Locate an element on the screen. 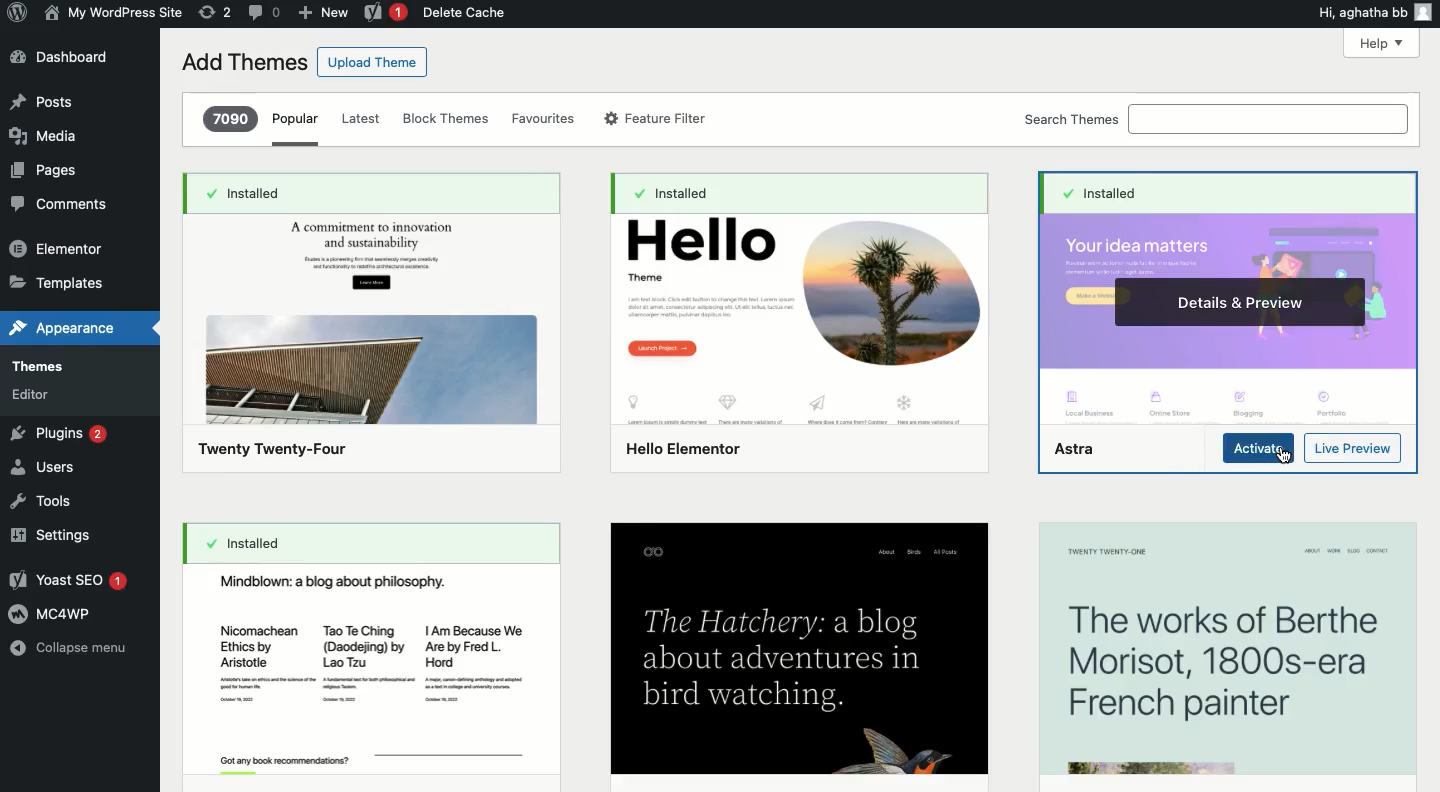 The width and height of the screenshot is (1440, 792). Details & preview is located at coordinates (1239, 303).